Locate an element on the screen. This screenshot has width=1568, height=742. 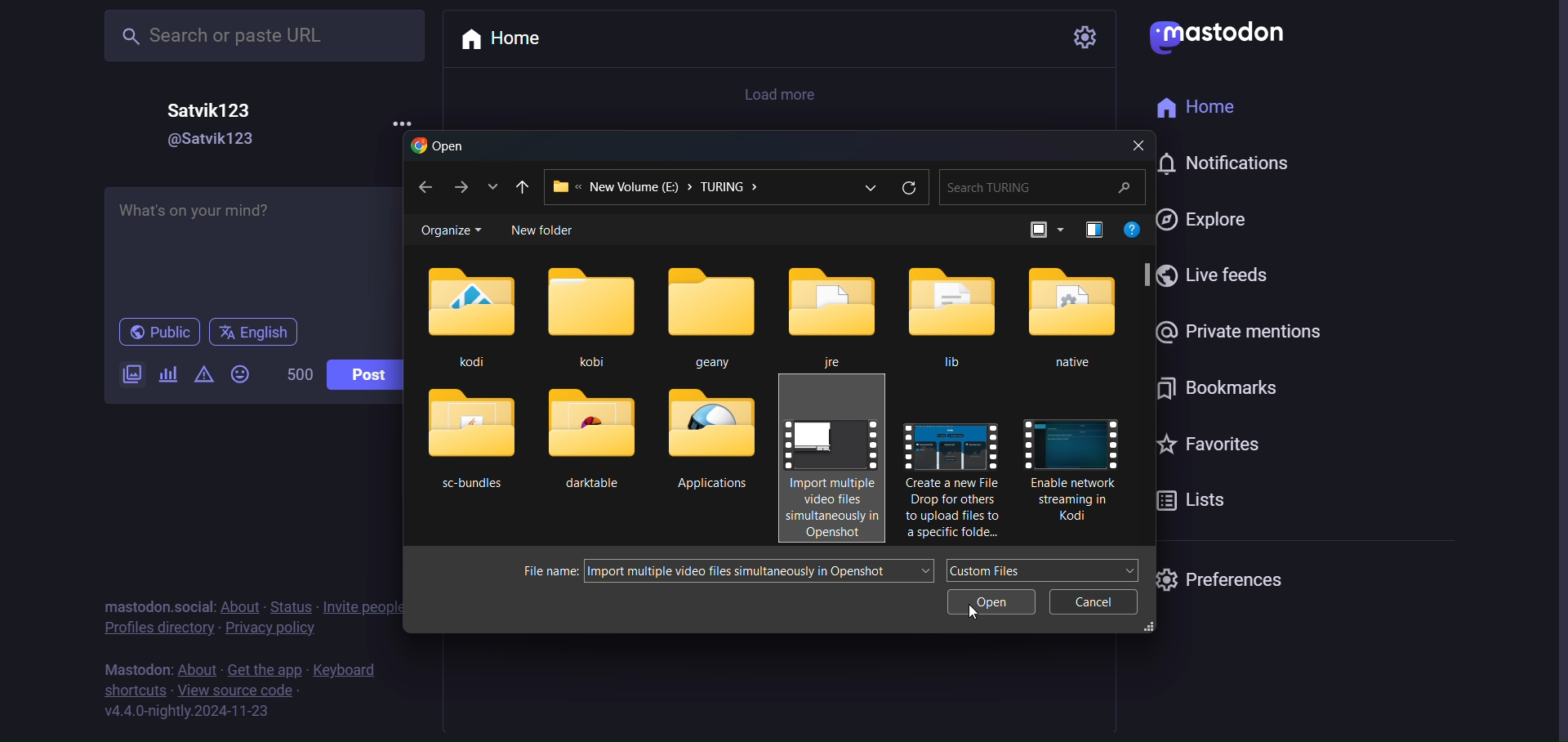
preferences is located at coordinates (1223, 579).